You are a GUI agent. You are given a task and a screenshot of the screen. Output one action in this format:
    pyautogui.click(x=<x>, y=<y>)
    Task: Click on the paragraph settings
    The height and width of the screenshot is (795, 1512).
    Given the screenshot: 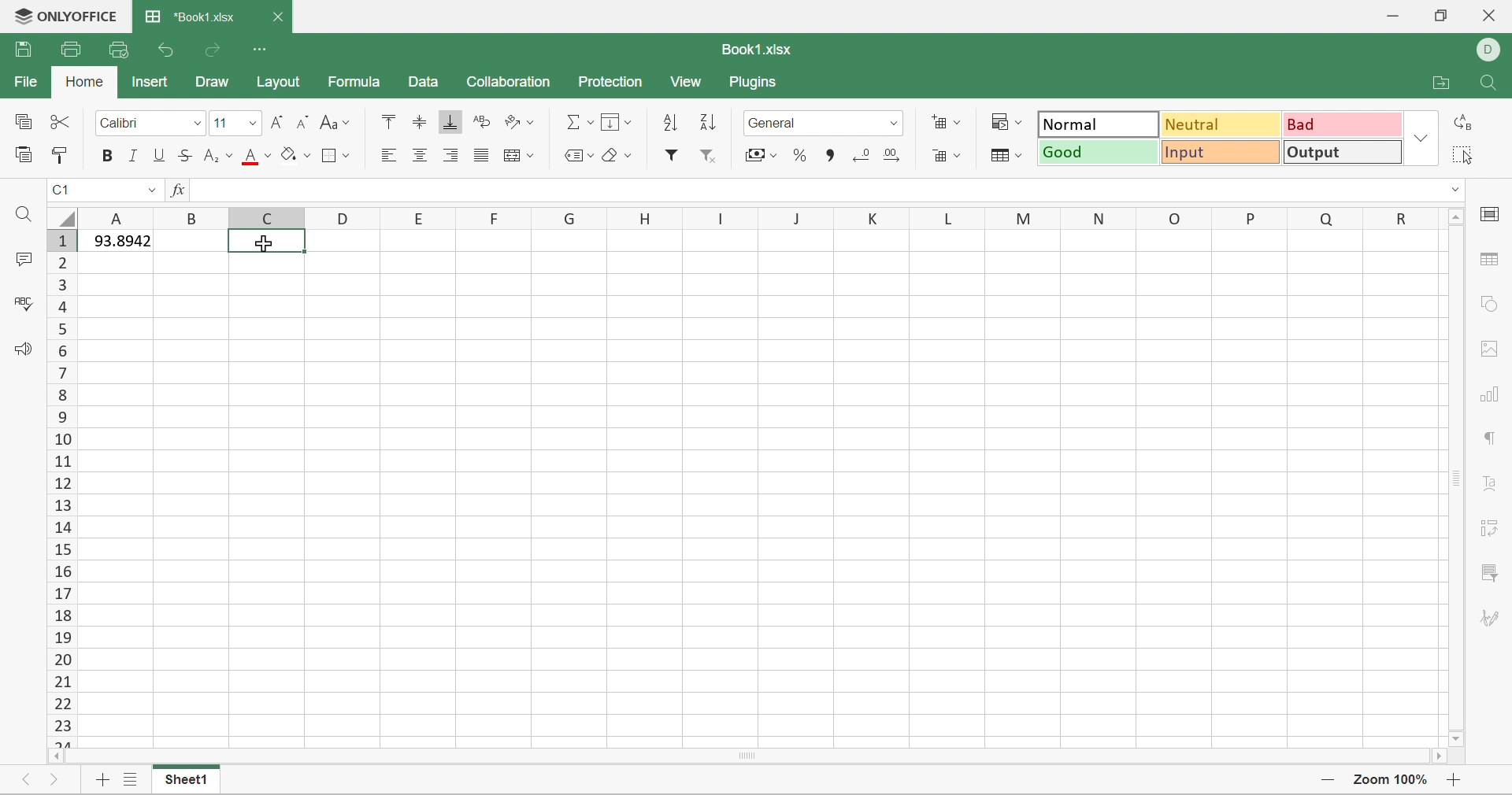 What is the action you would take?
    pyautogui.click(x=1492, y=438)
    